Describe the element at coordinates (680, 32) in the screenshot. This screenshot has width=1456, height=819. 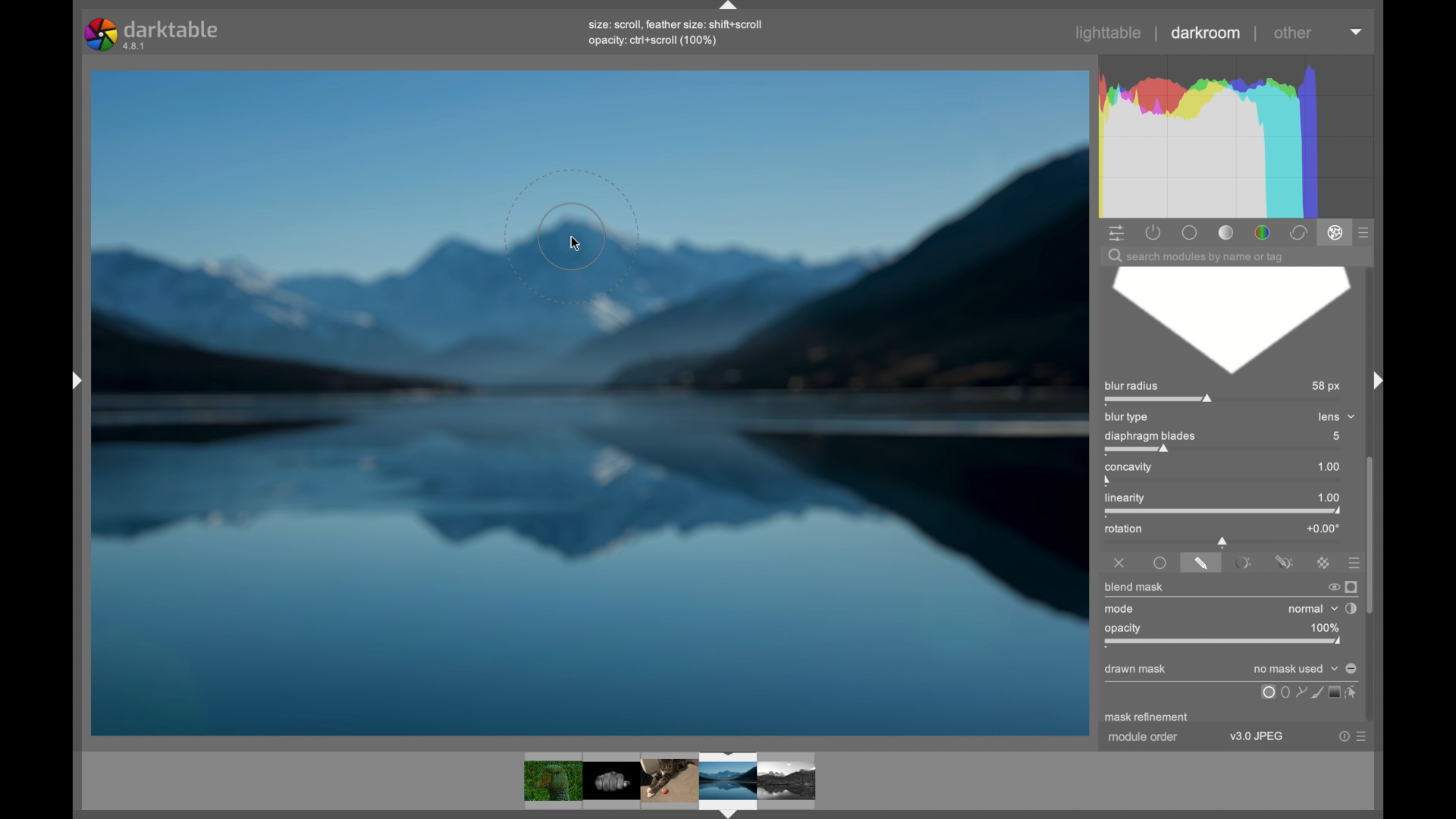
I see `size: scroll, feather size: shift+scrollopacity: ctrl+scroll (100%)` at that location.